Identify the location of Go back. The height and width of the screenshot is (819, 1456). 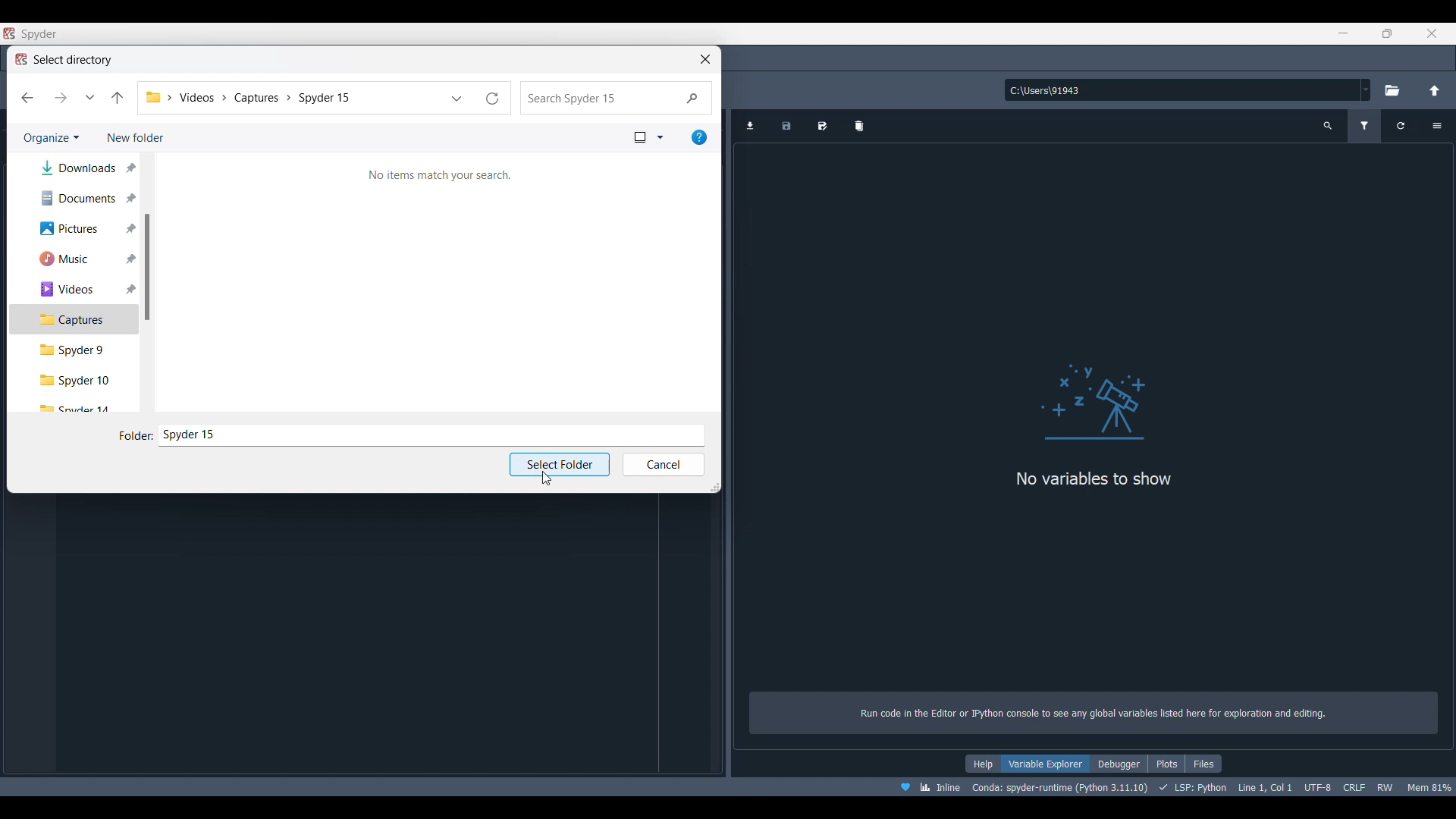
(27, 98).